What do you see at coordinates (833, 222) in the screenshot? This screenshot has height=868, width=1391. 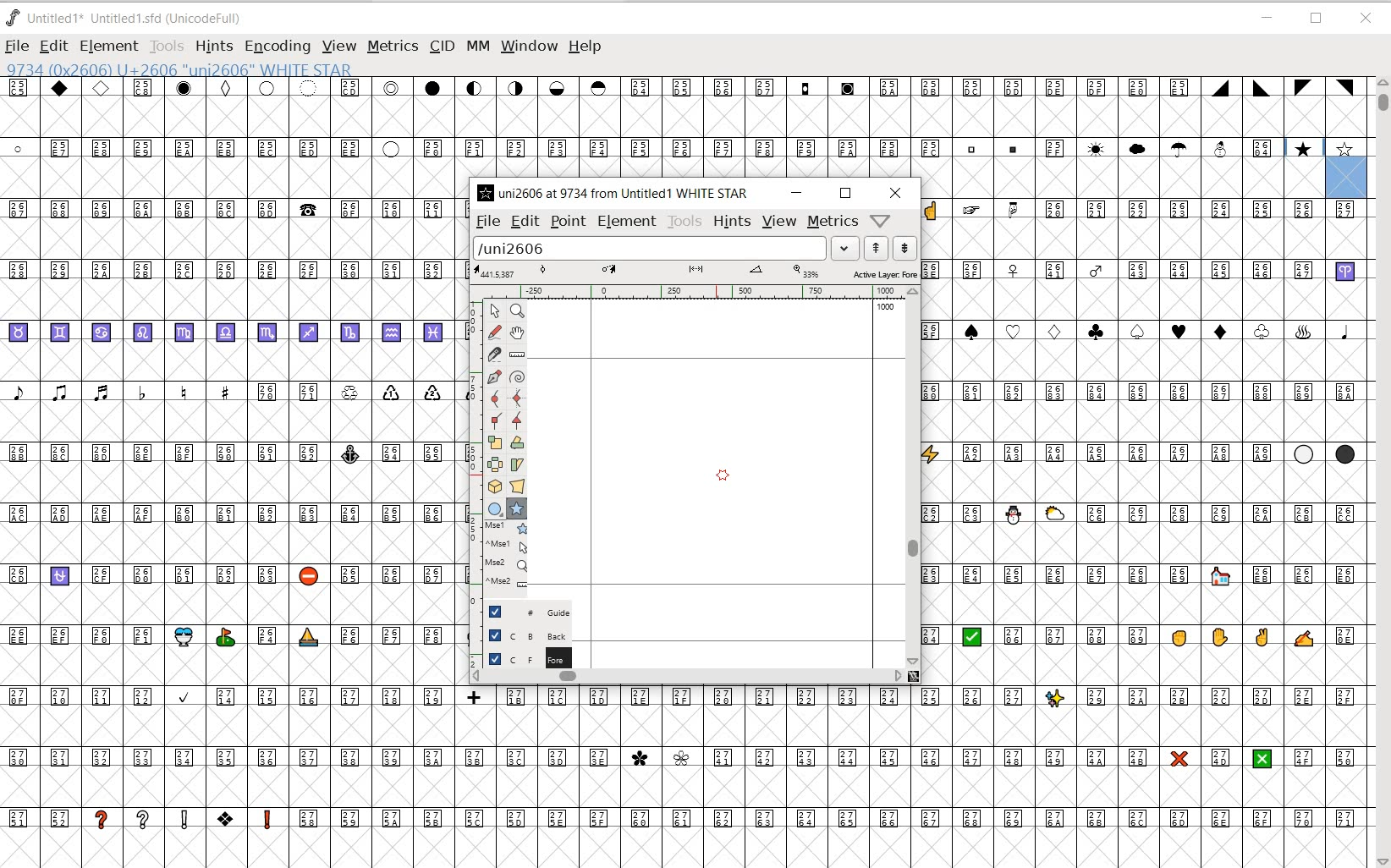 I see `metrics` at bounding box center [833, 222].